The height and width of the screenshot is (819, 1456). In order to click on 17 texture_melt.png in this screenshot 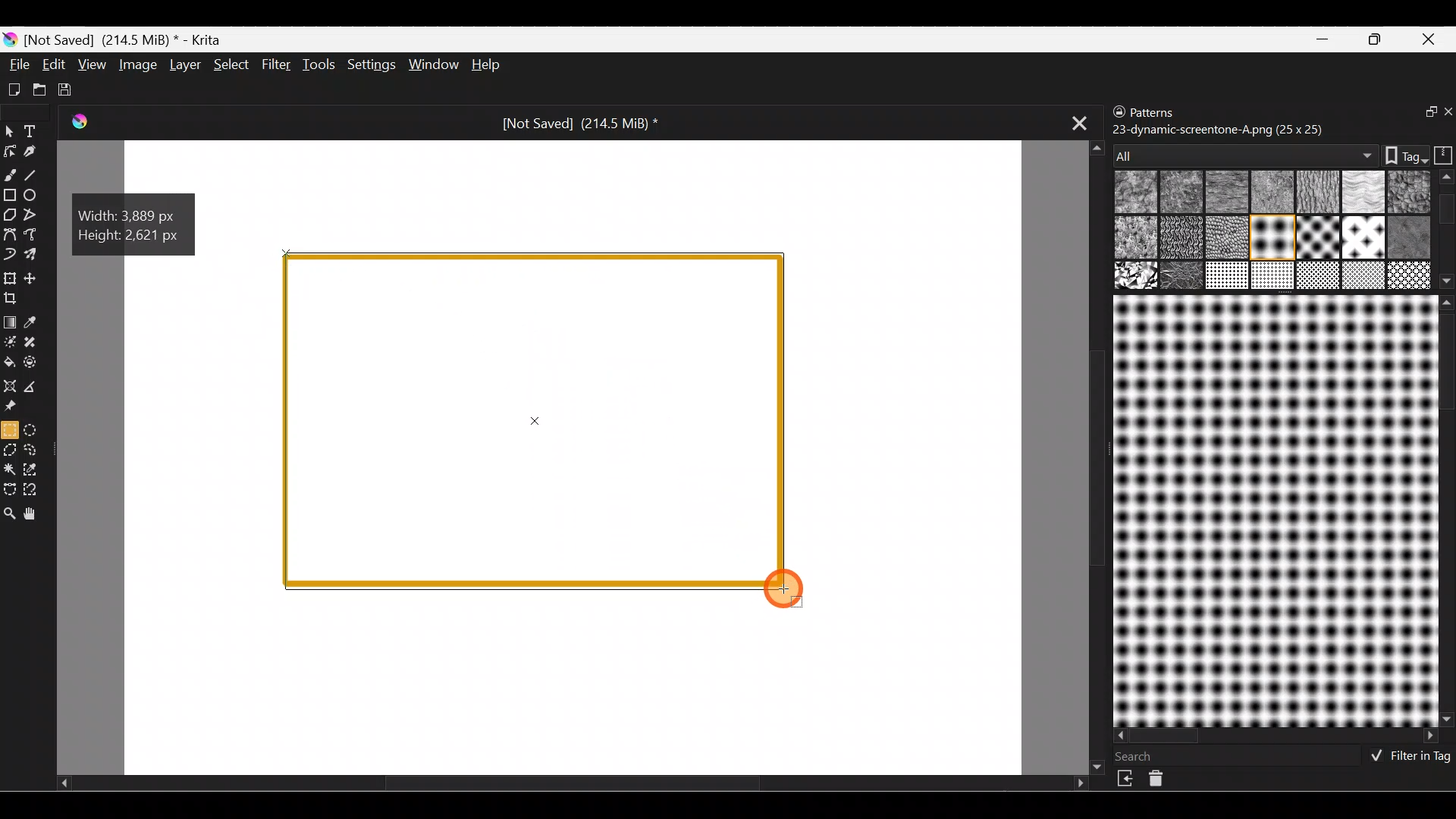, I will do `click(1274, 275)`.